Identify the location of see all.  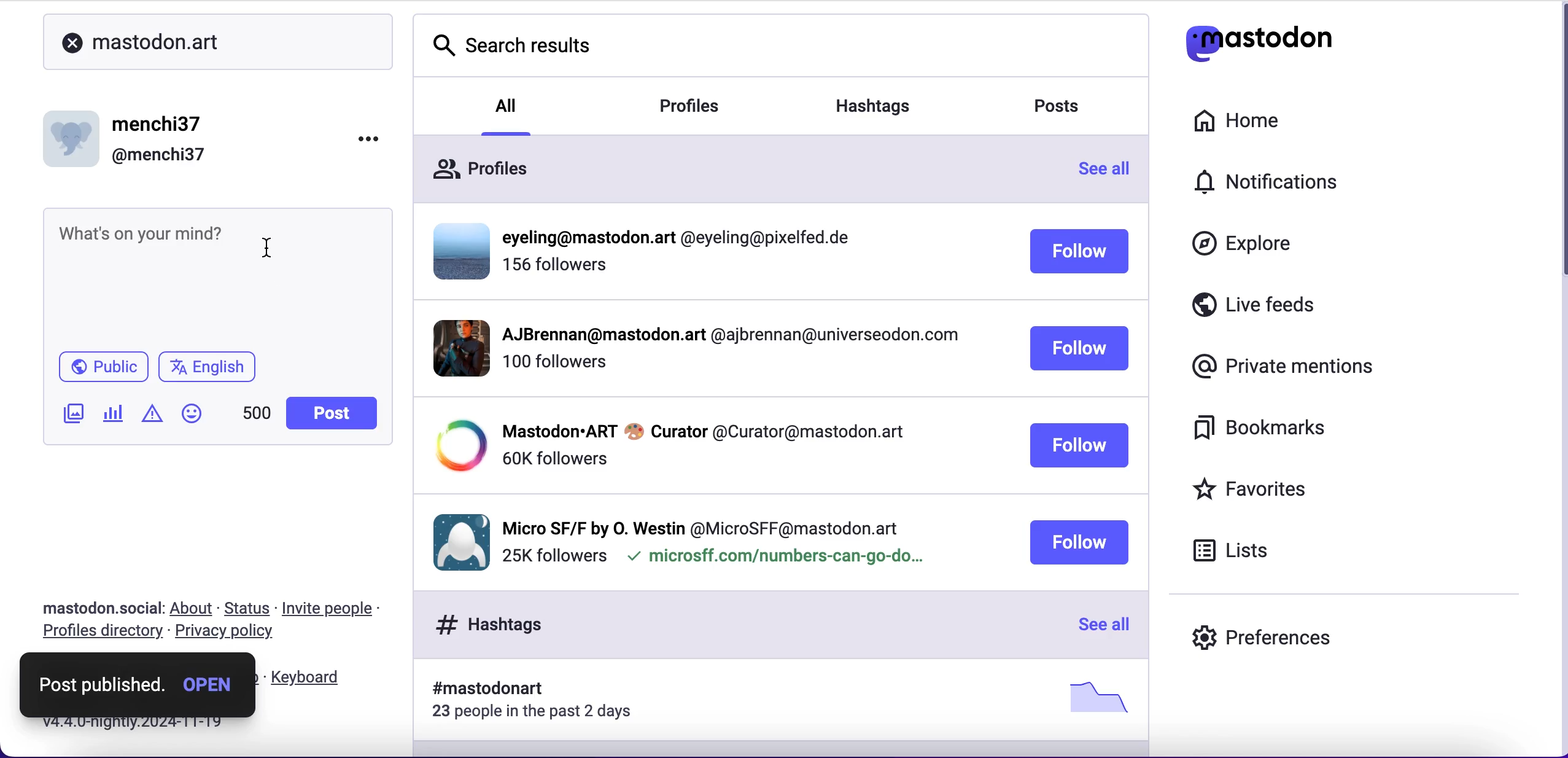
(1101, 626).